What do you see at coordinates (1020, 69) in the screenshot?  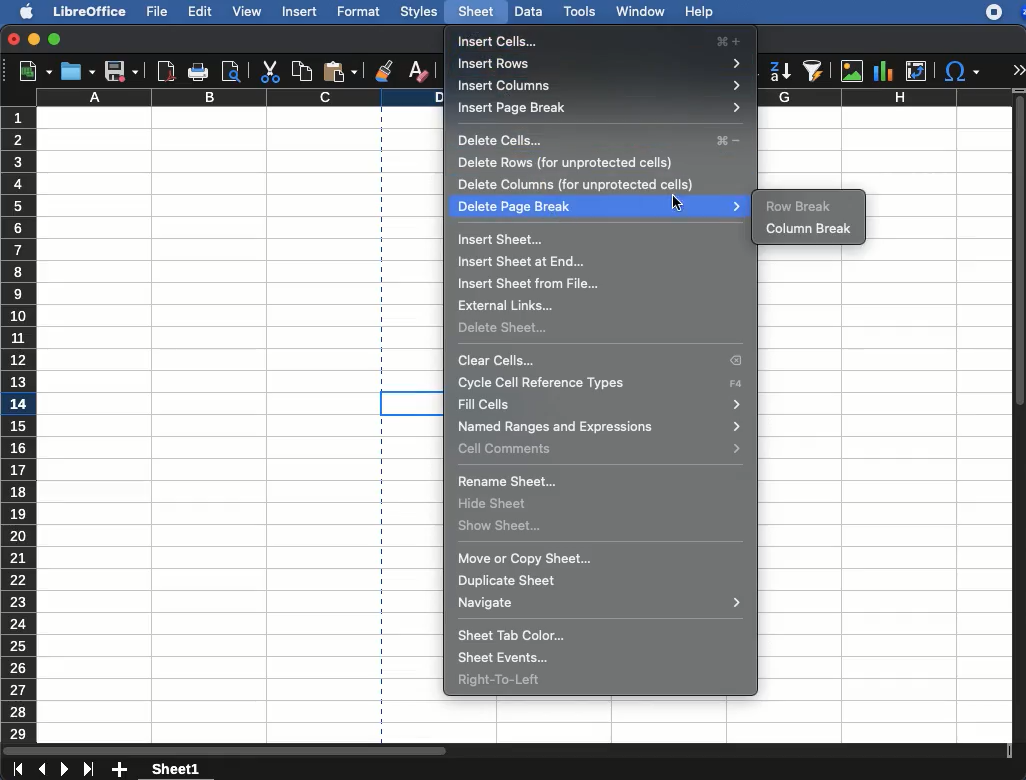 I see `expand` at bounding box center [1020, 69].